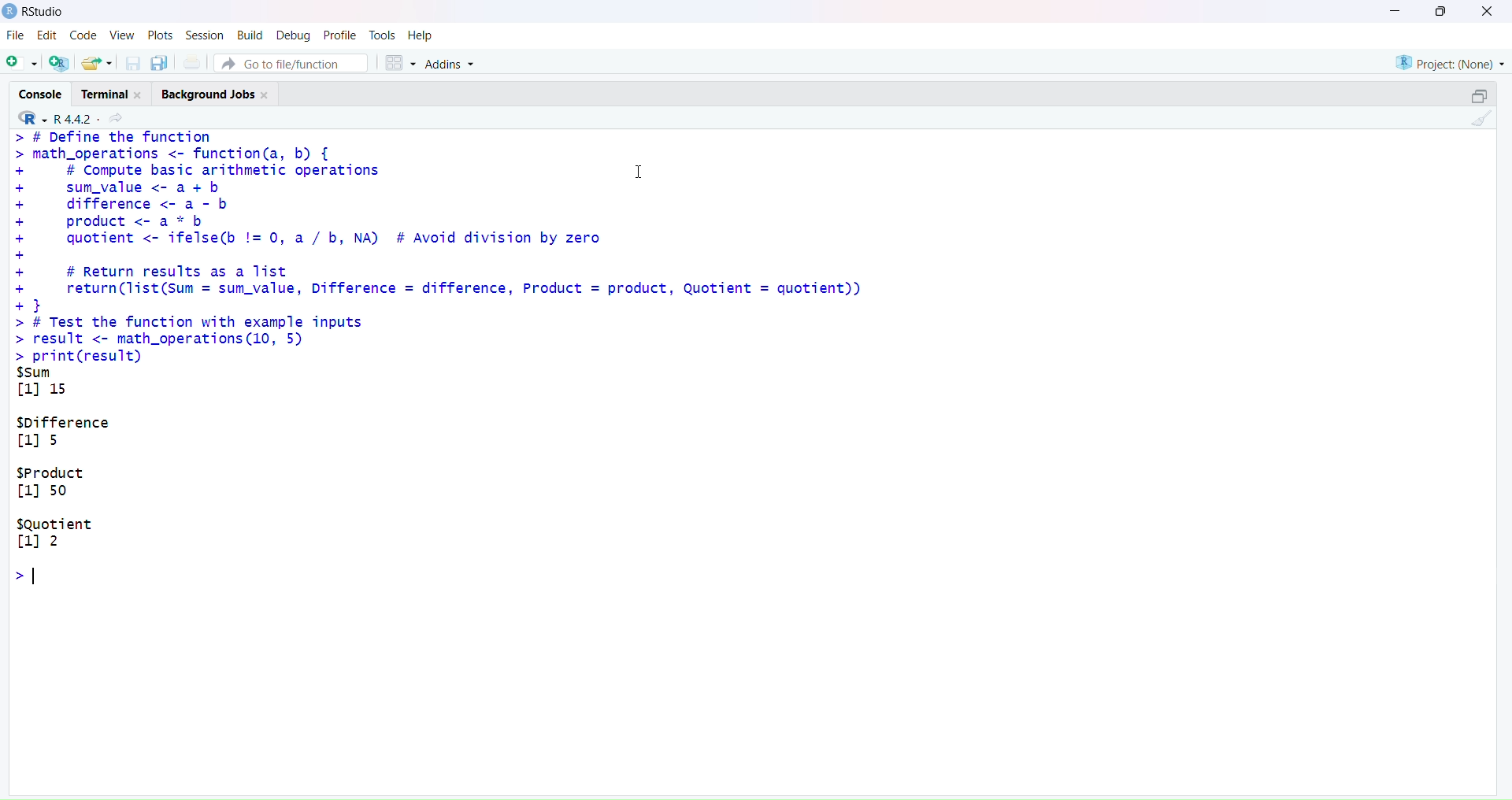  What do you see at coordinates (13, 36) in the screenshot?
I see `File` at bounding box center [13, 36].